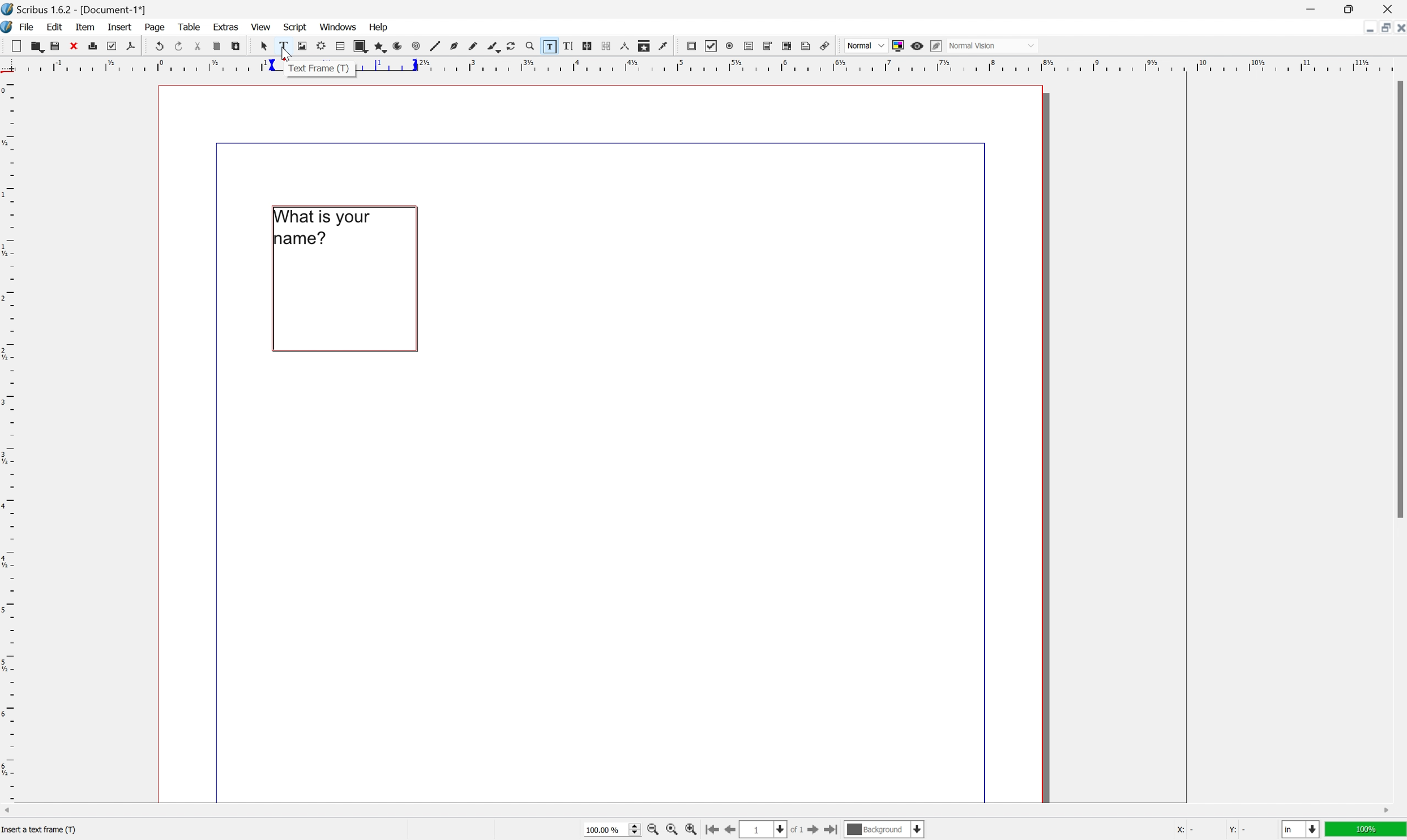  I want to click on freehand line, so click(474, 46).